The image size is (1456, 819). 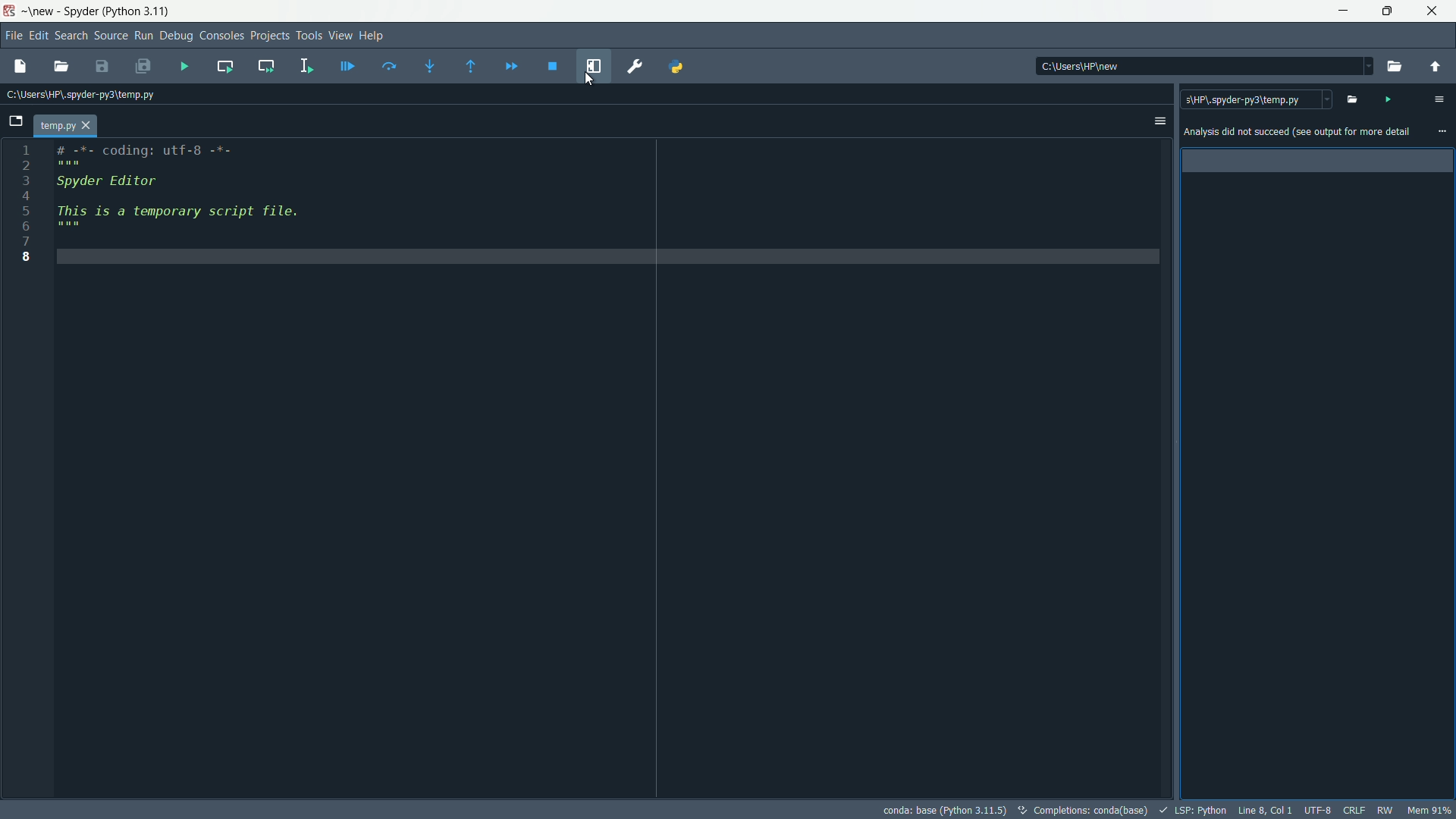 What do you see at coordinates (1443, 132) in the screenshot?
I see `more options` at bounding box center [1443, 132].